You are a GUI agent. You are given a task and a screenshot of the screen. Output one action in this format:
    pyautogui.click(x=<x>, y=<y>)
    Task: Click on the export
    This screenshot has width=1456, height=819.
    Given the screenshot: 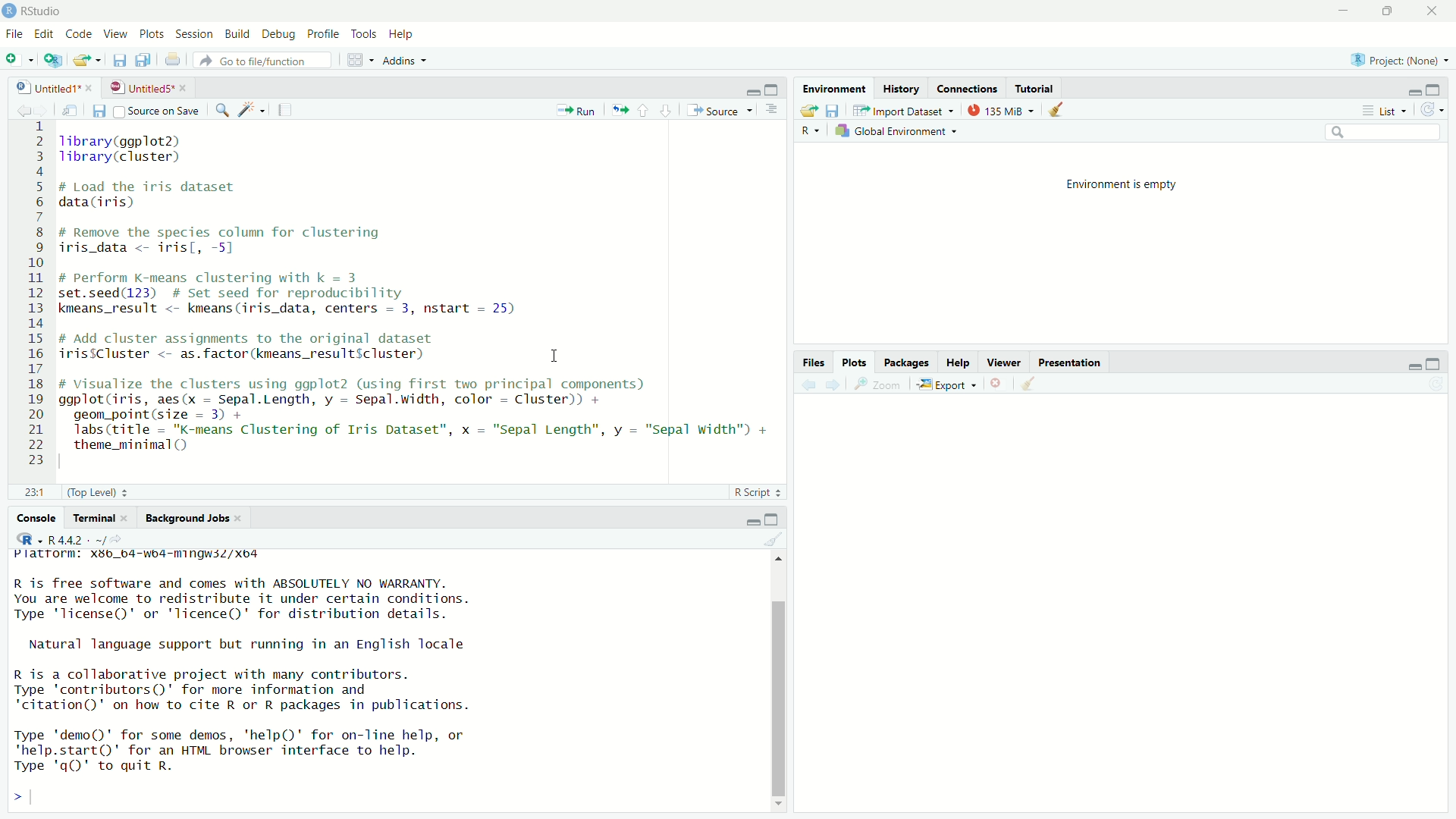 What is the action you would take?
    pyautogui.click(x=946, y=385)
    